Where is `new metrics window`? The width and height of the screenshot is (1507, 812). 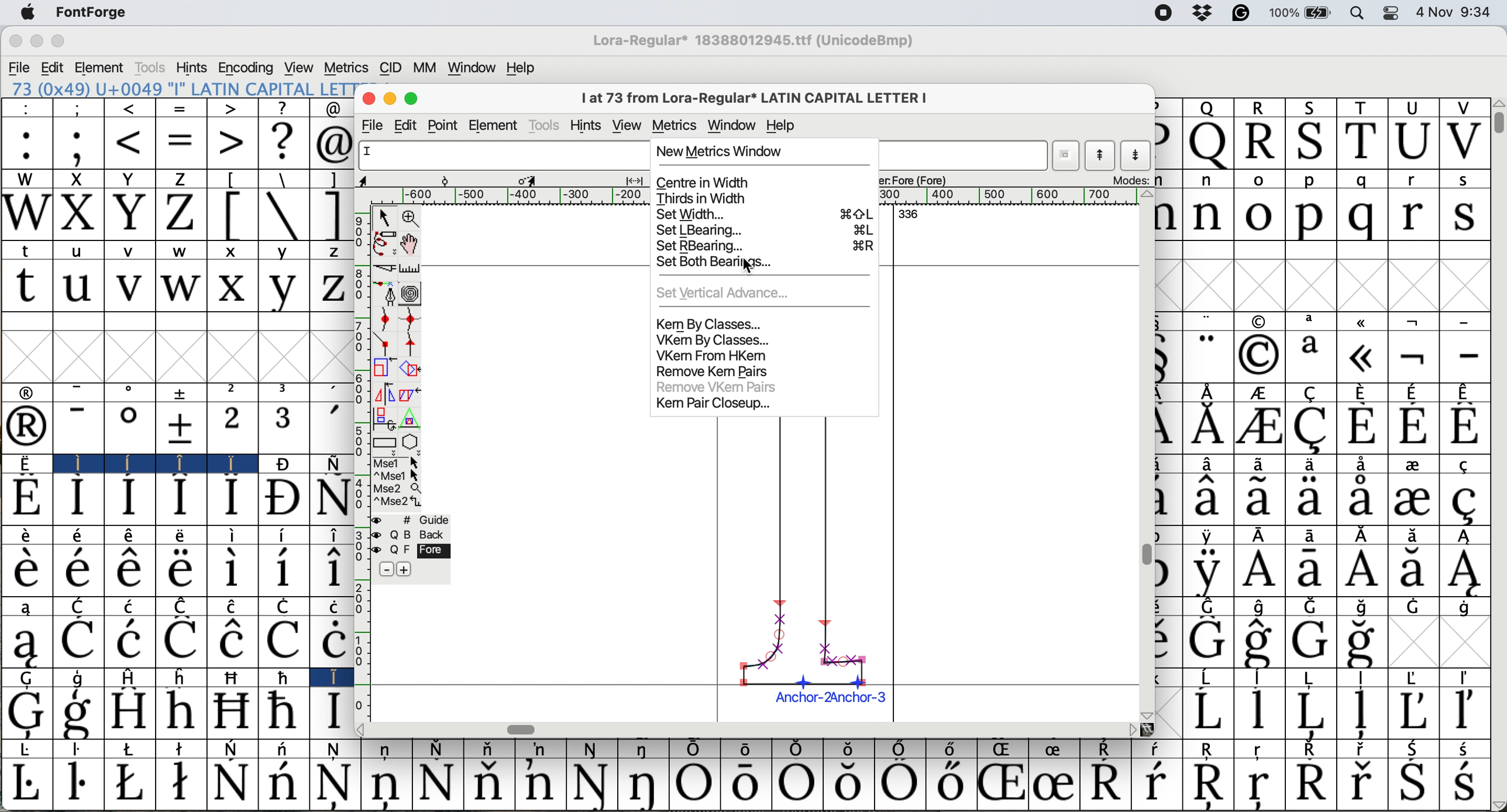 new metrics window is located at coordinates (730, 153).